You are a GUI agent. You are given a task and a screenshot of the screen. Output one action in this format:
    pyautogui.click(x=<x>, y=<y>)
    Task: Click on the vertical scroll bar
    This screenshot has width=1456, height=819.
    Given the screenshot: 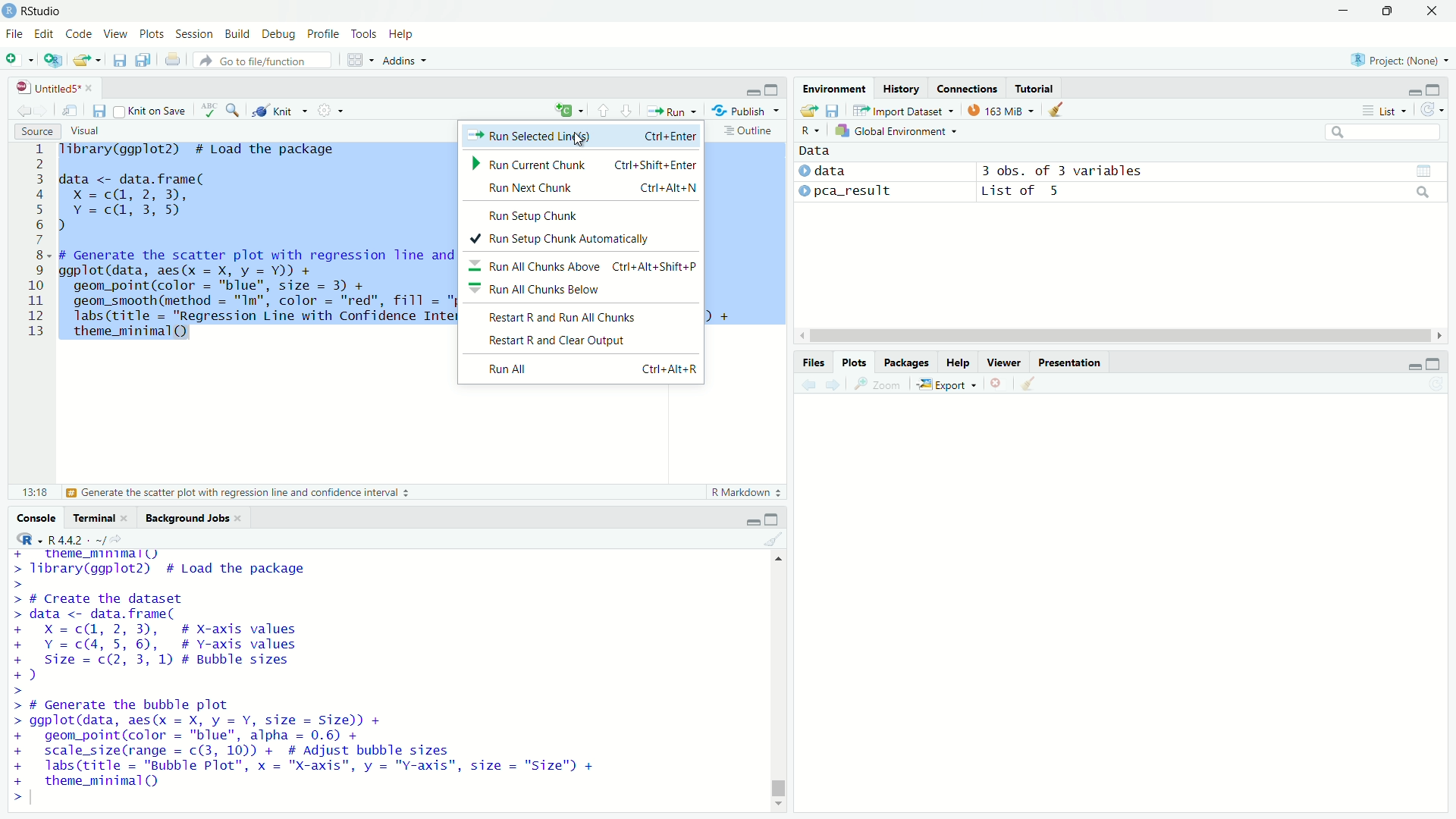 What is the action you would take?
    pyautogui.click(x=779, y=680)
    